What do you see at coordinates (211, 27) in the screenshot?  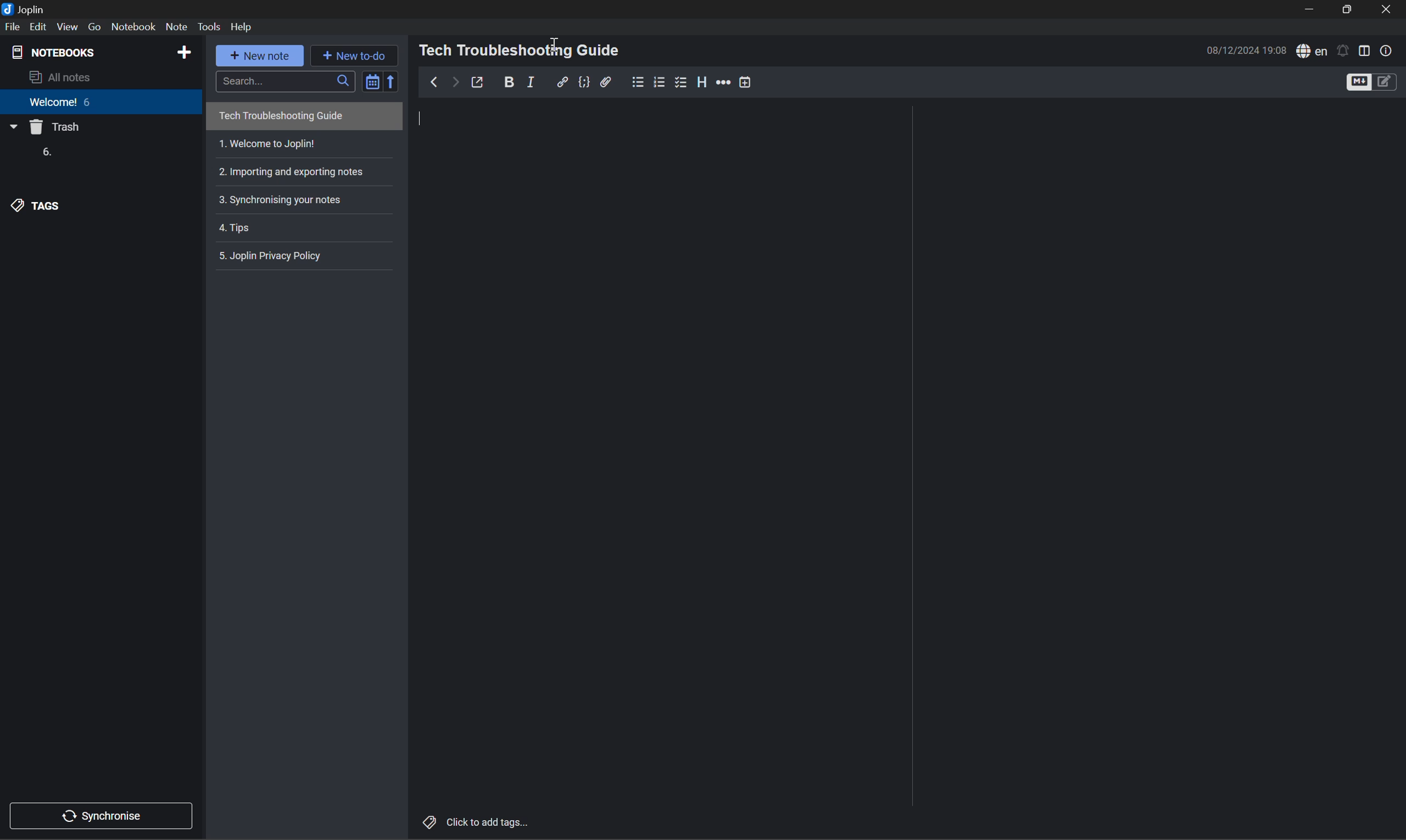 I see `Tools` at bounding box center [211, 27].